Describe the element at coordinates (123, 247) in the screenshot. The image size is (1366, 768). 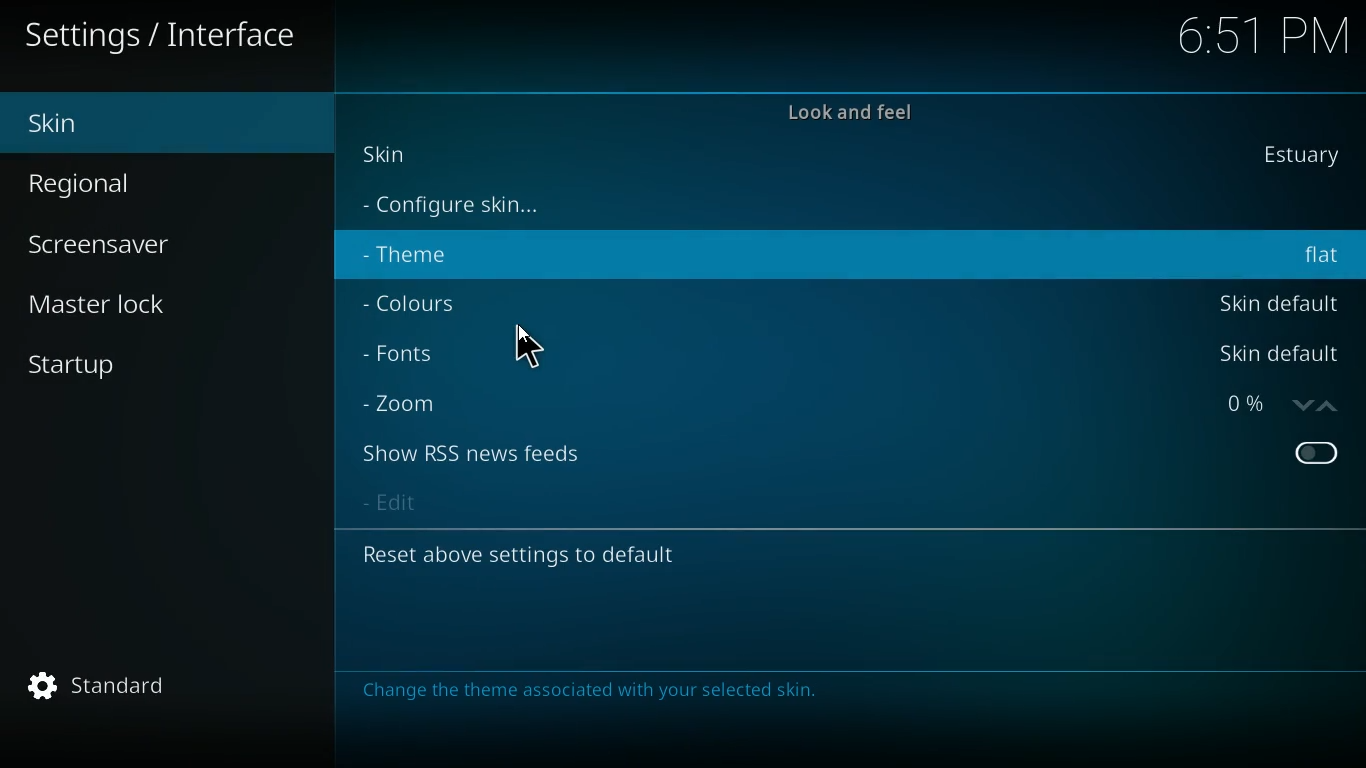
I see `screensaver` at that location.